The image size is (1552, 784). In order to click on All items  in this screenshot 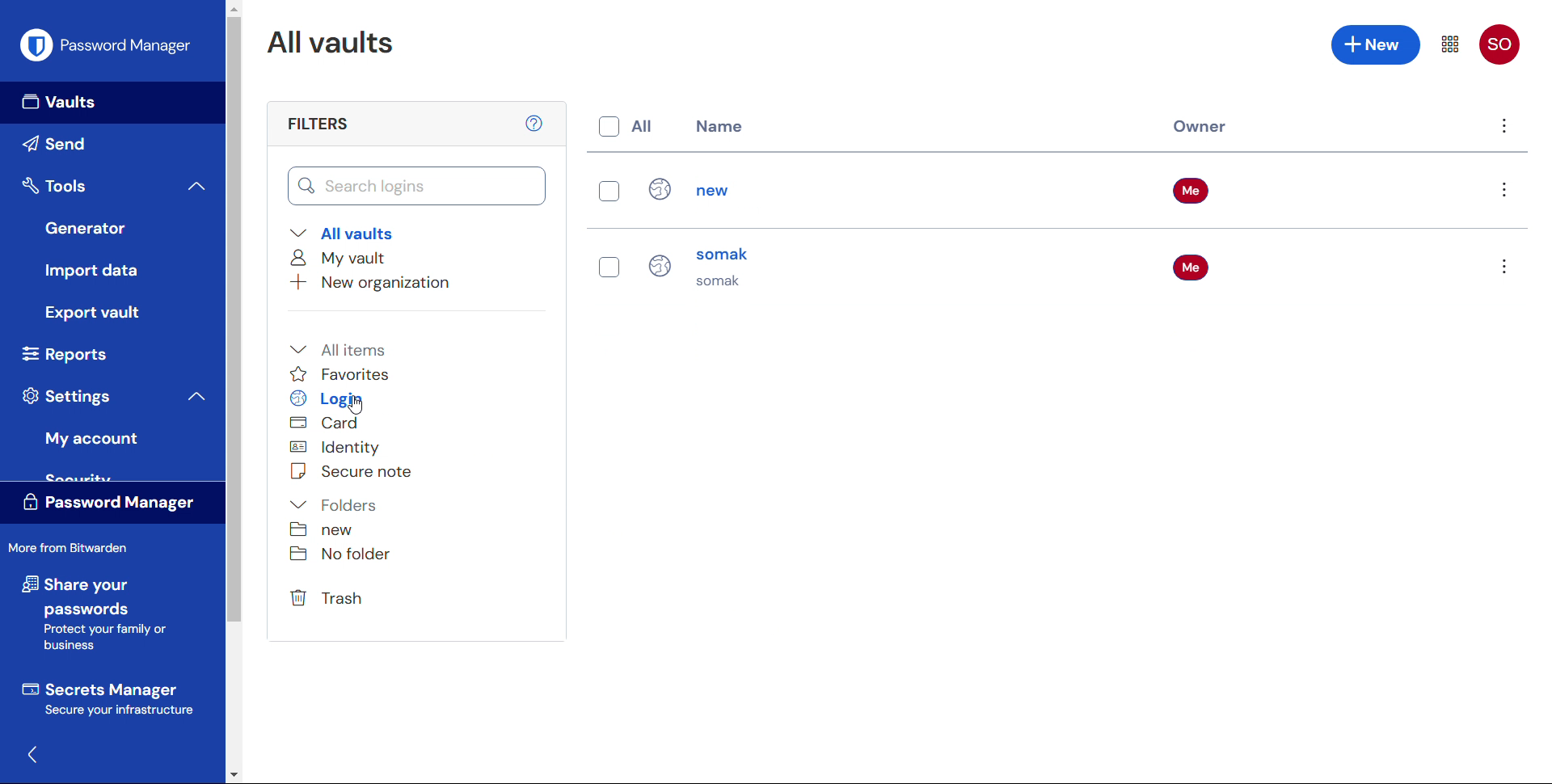, I will do `click(341, 351)`.